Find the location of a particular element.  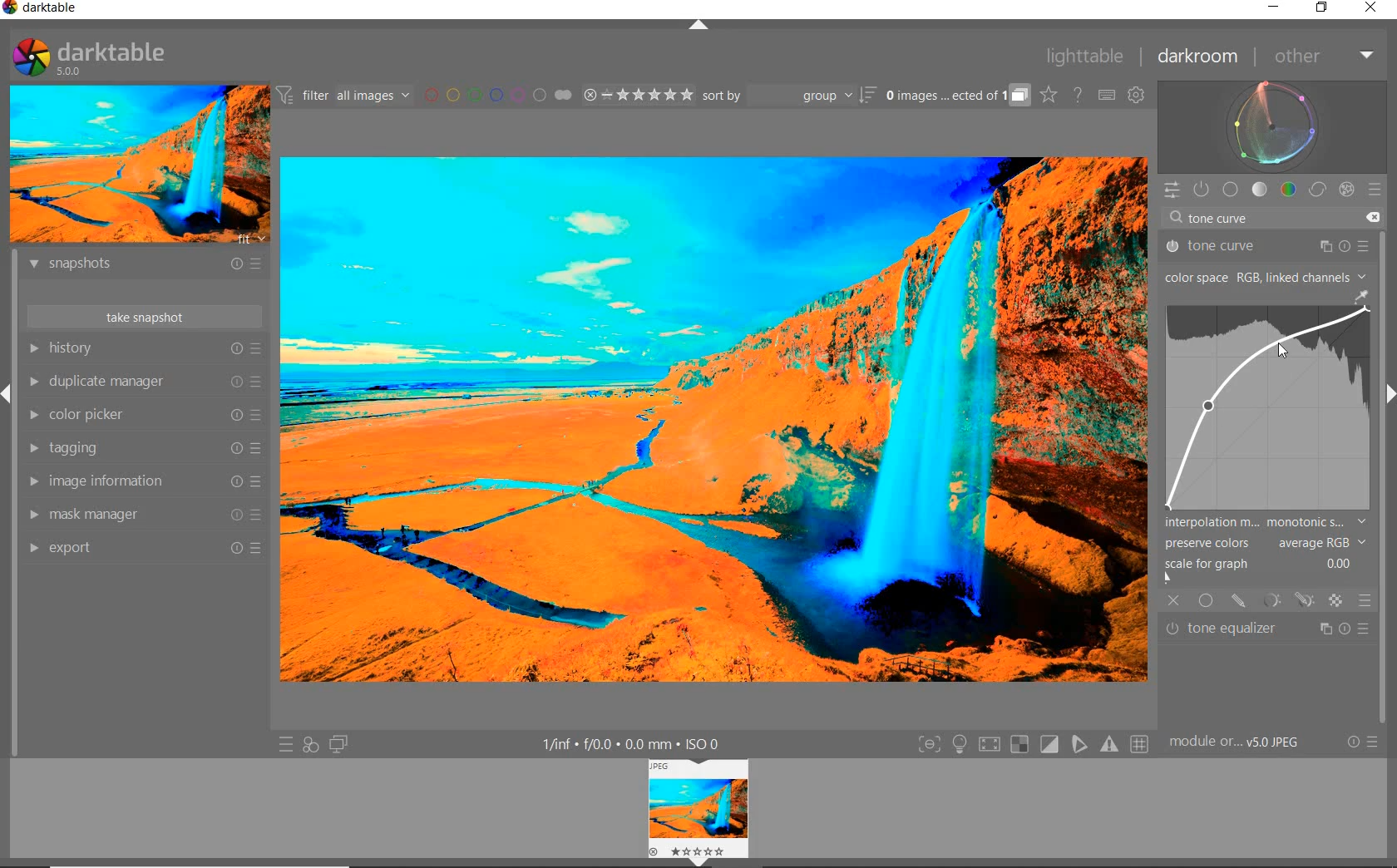

PRESERVE COLORS is located at coordinates (1269, 544).